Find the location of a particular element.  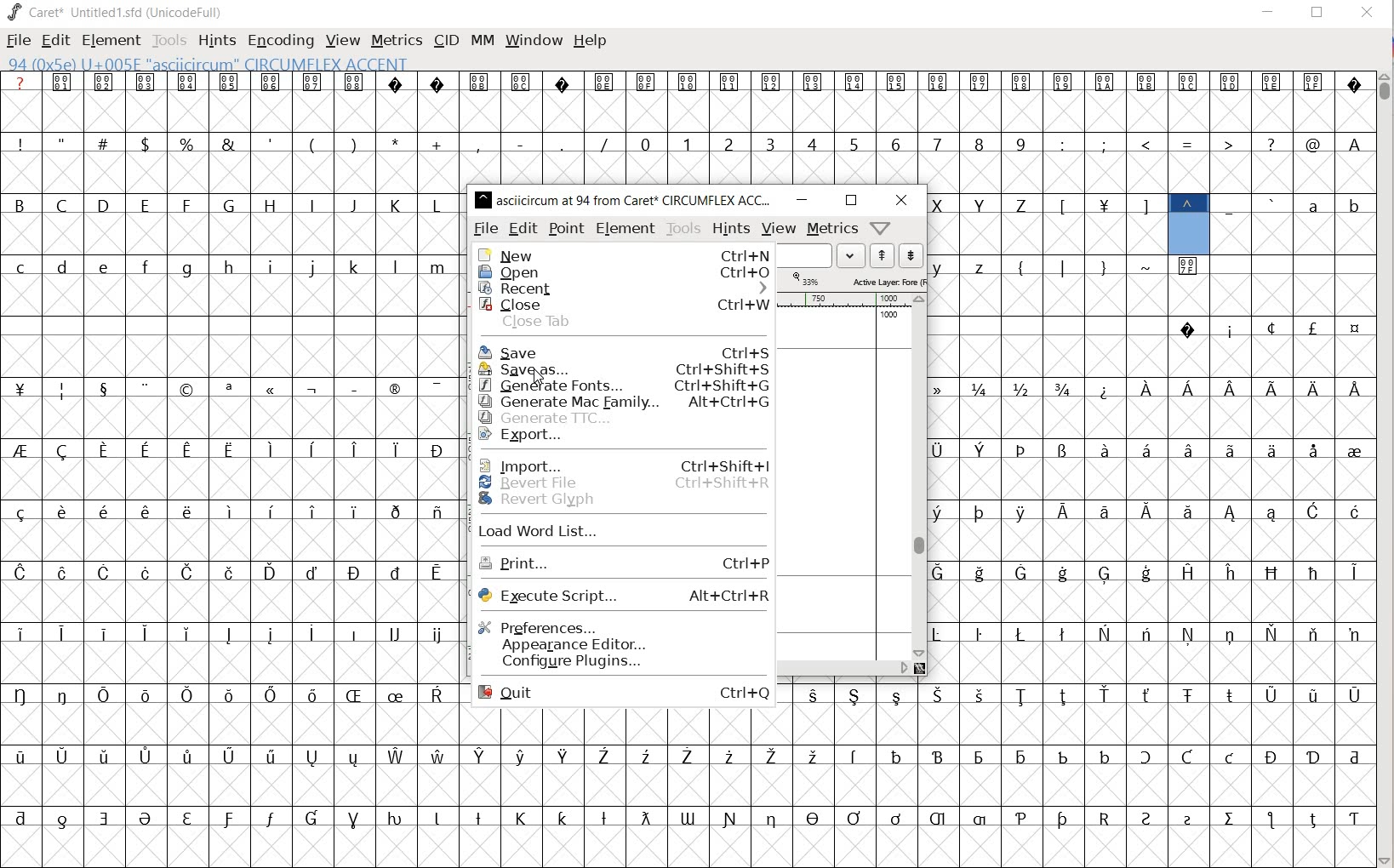

glyph characters is located at coordinates (920, 785).